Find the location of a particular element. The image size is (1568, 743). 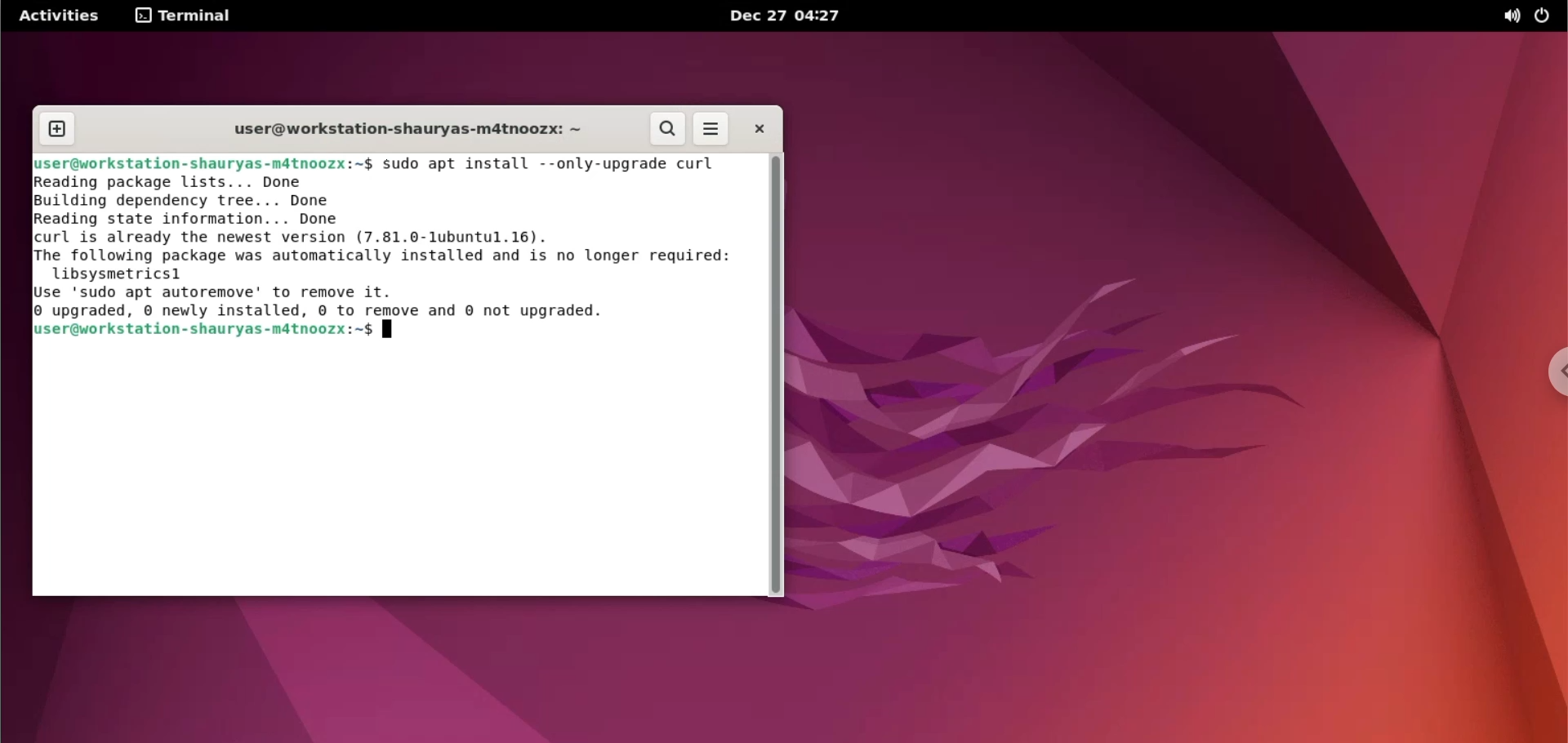

user@workstation-shauryas-m4tnoozx:-$ is located at coordinates (405, 131).